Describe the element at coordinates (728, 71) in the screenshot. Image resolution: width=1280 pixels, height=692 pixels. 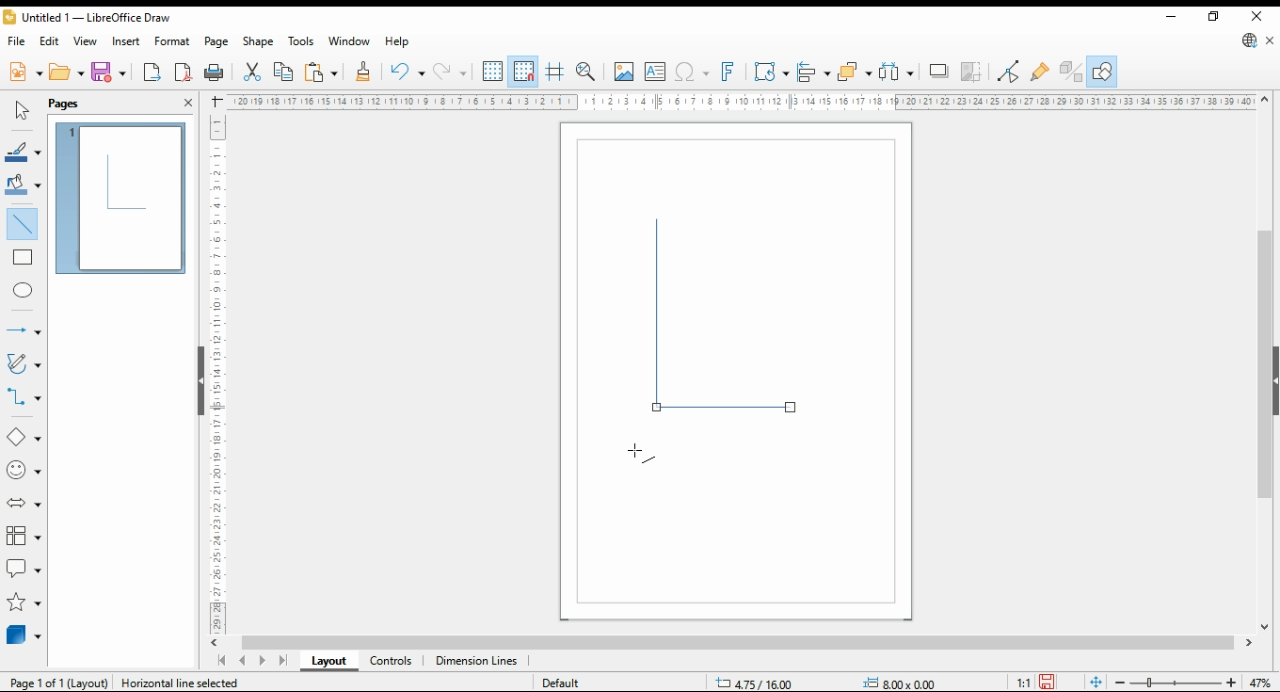
I see `insert fontwork text` at that location.